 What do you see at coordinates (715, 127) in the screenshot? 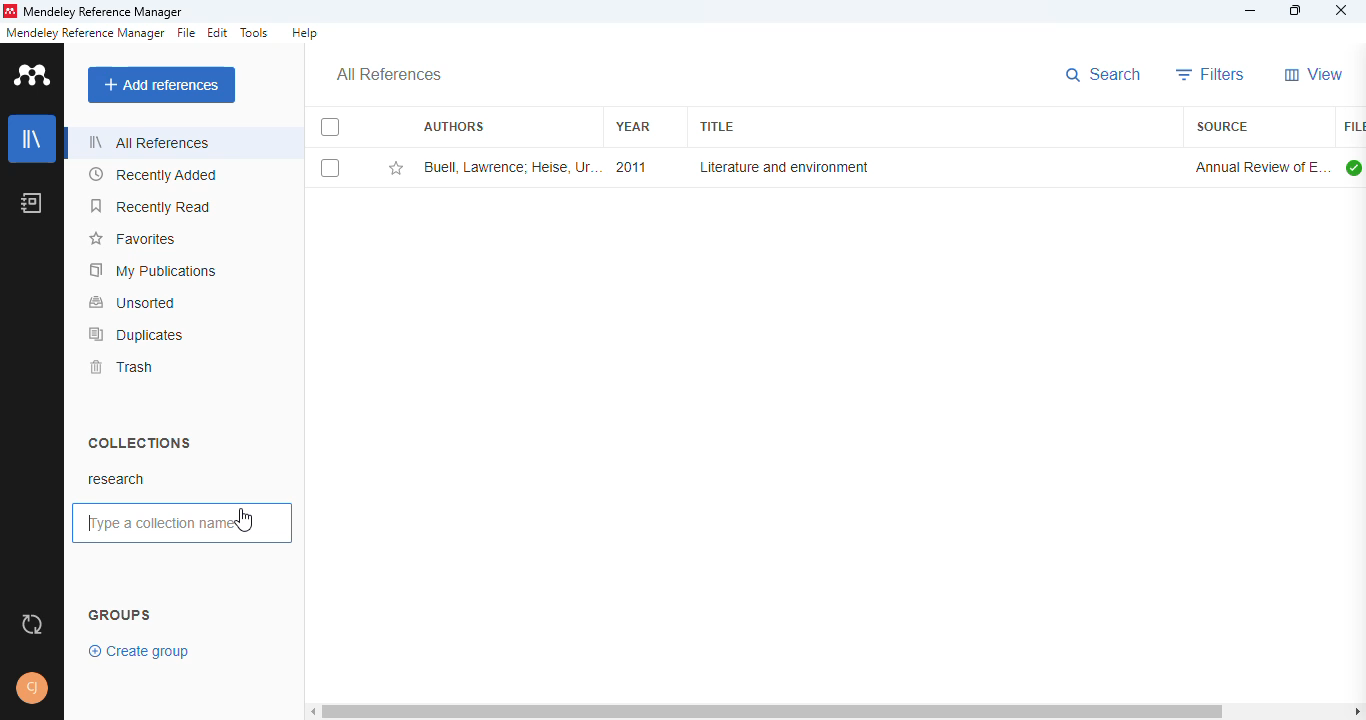
I see `title` at bounding box center [715, 127].